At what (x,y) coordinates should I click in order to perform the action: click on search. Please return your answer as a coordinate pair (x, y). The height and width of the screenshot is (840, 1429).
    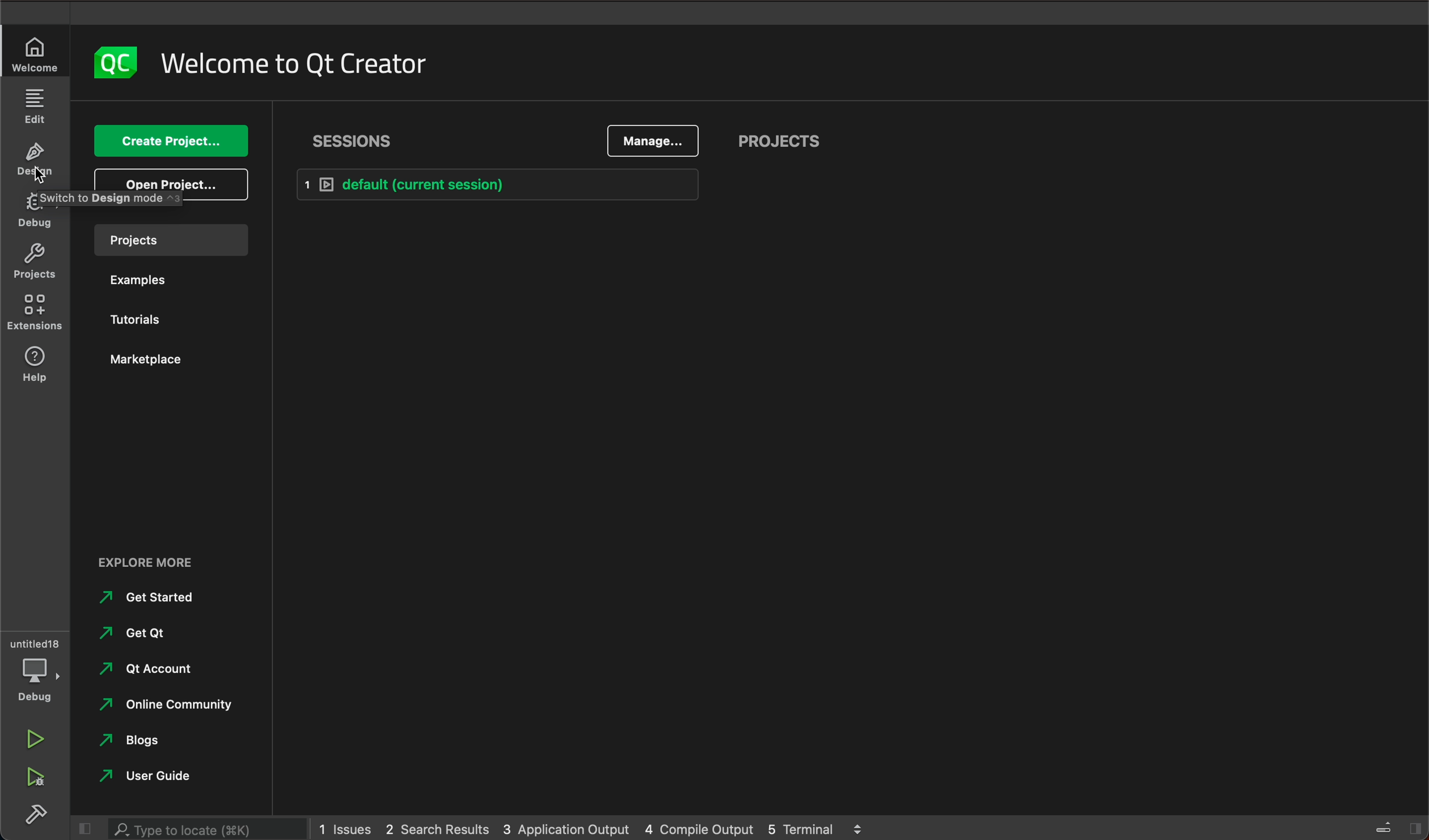
    Looking at the image, I should click on (205, 829).